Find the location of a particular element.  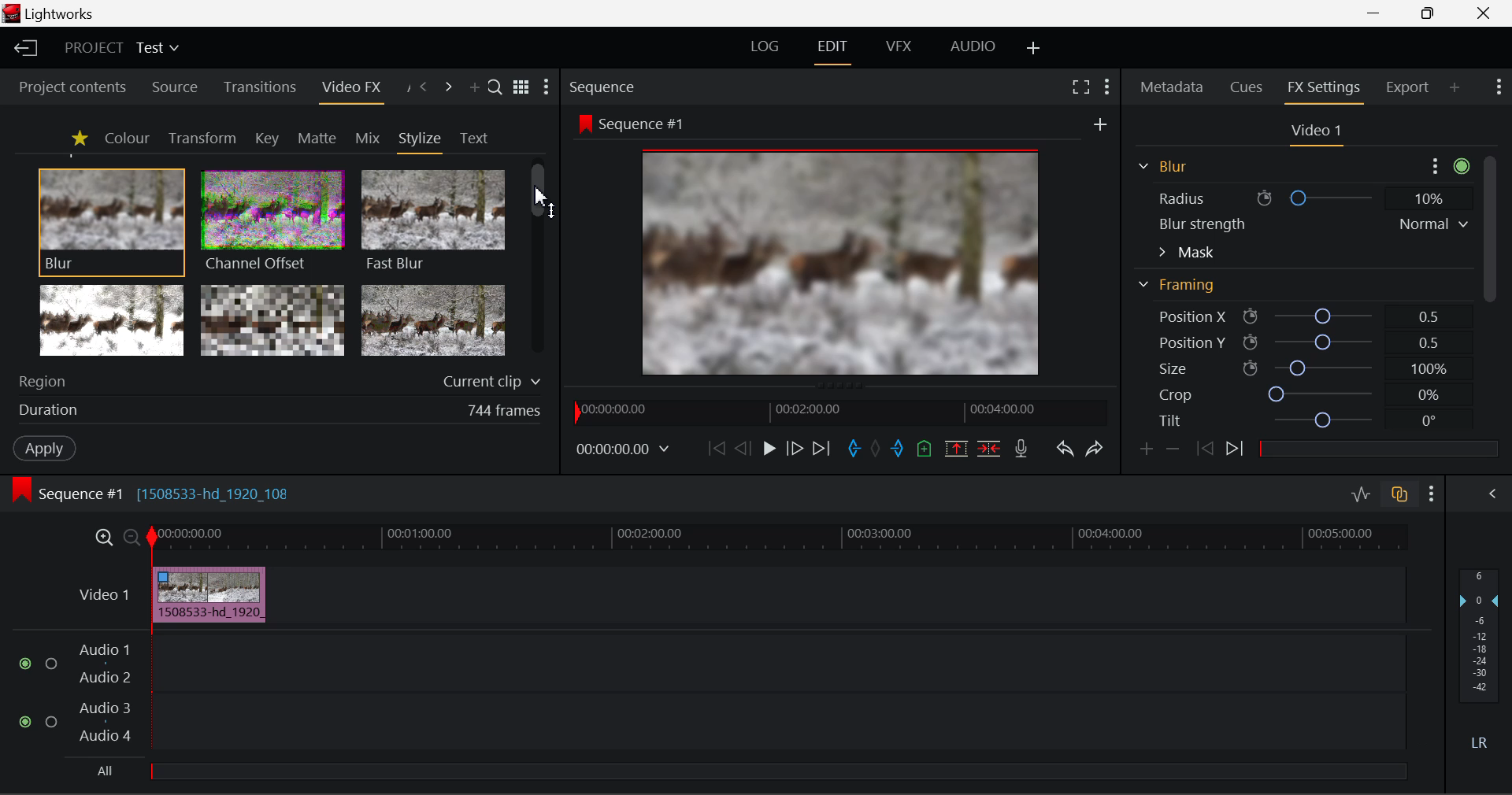

Go Back is located at coordinates (743, 449).